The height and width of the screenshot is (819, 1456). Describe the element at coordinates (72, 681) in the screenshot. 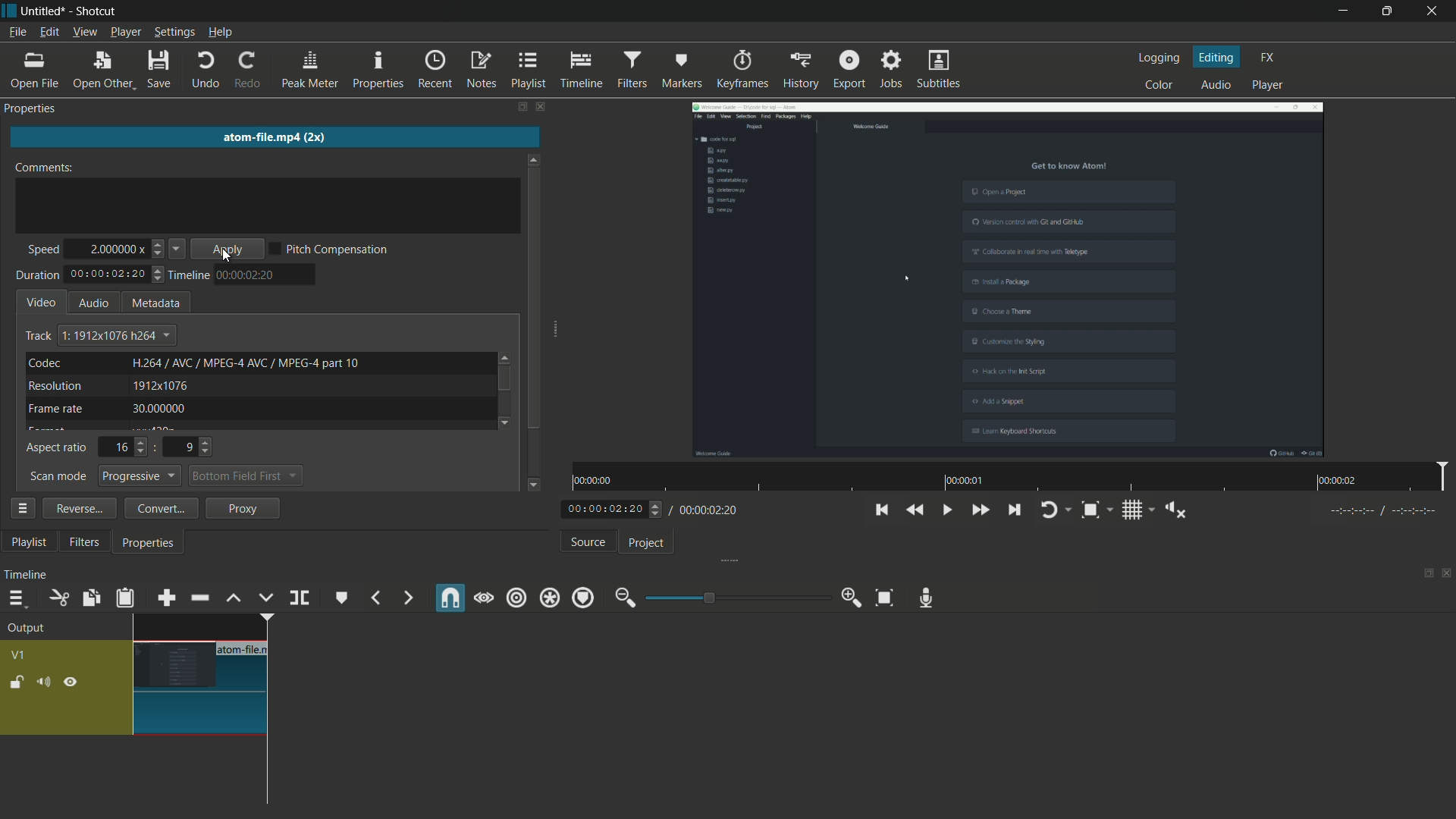

I see `hide` at that location.